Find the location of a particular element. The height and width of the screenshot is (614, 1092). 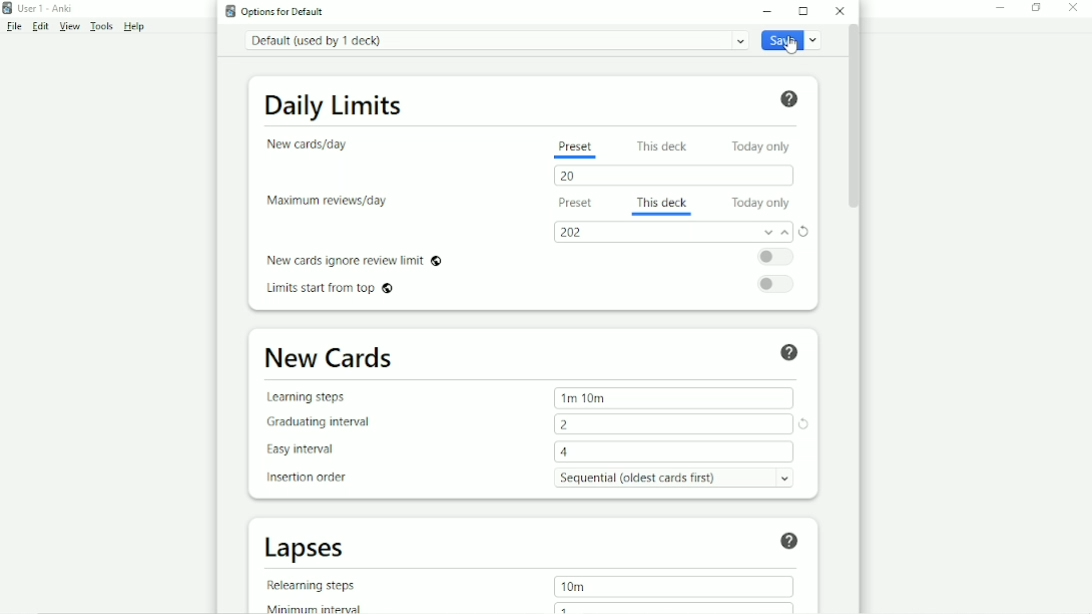

Options for Default is located at coordinates (278, 11).